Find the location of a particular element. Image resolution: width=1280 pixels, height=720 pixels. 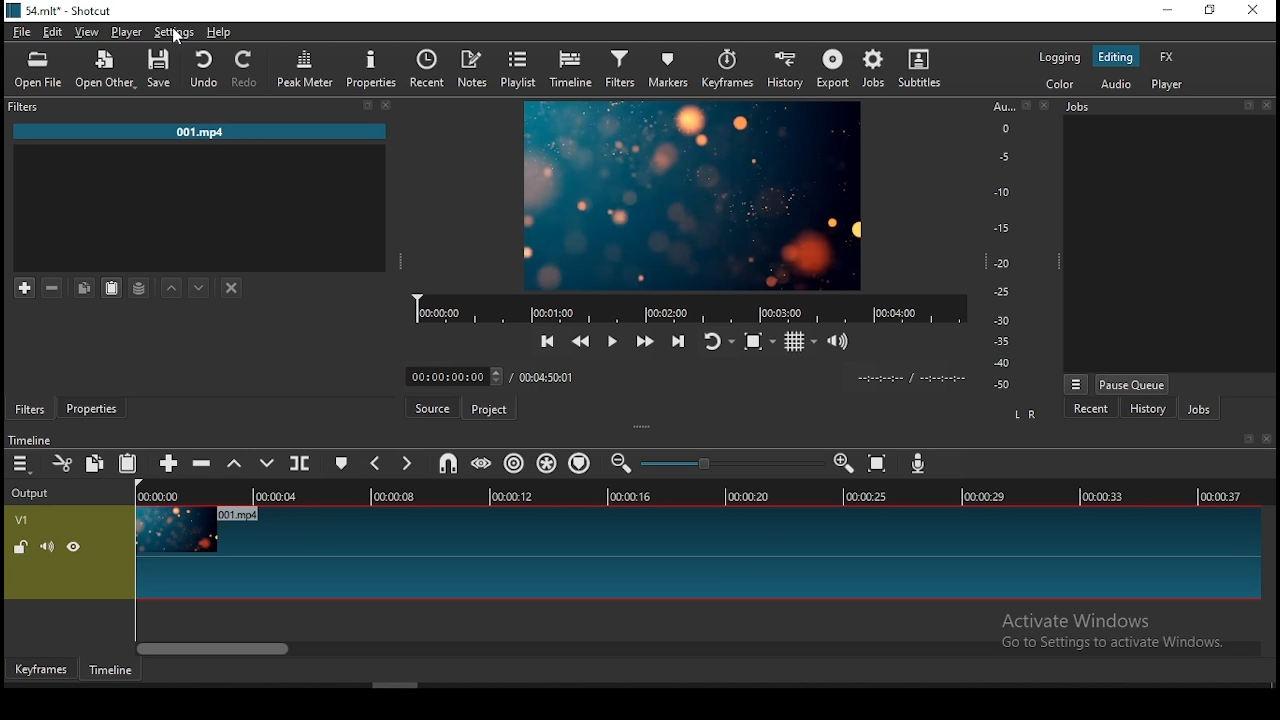

unlock is located at coordinates (23, 548).